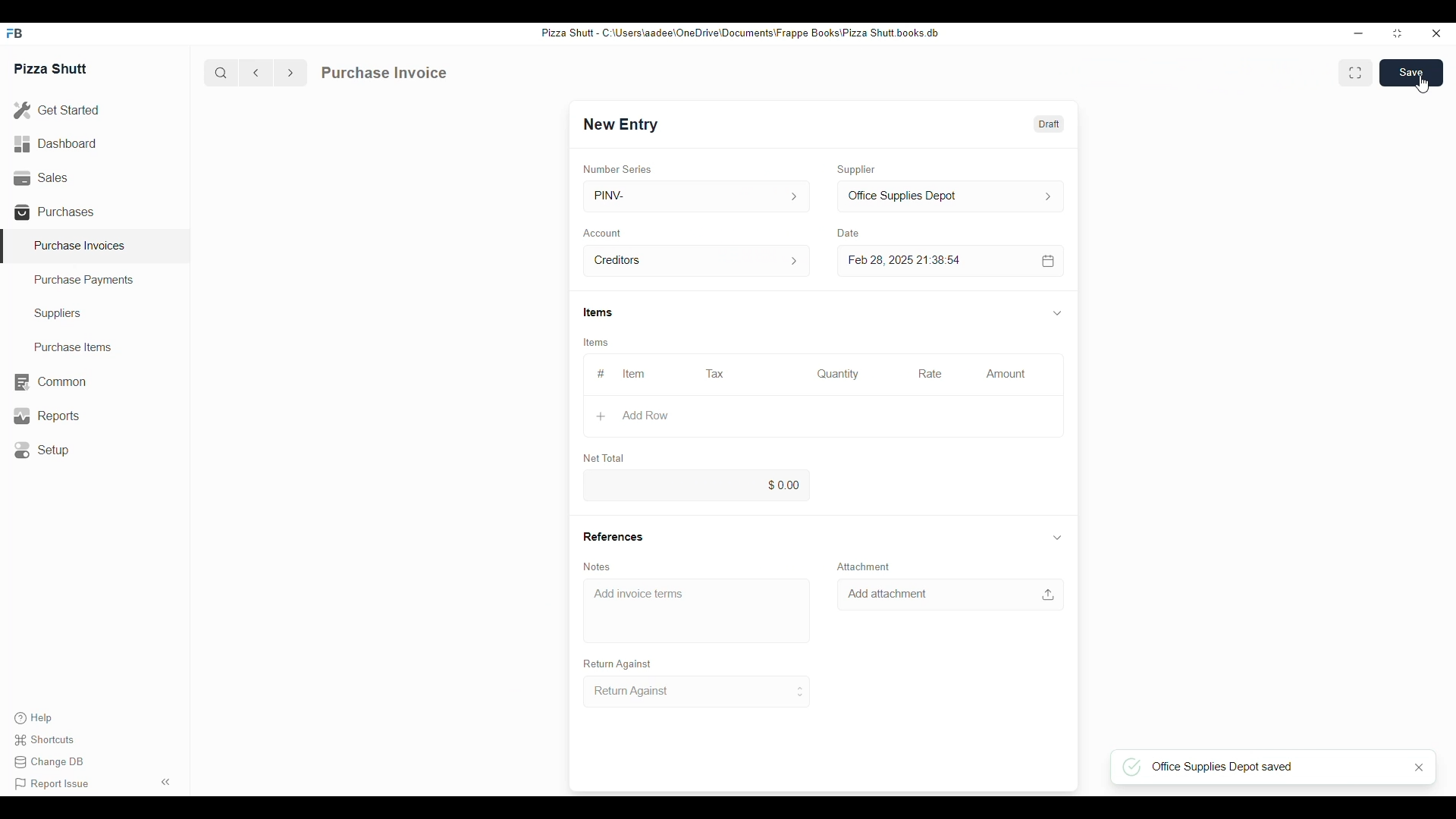 The height and width of the screenshot is (819, 1456). Describe the element at coordinates (739, 32) in the screenshot. I see `Pizza Shut - C:\Users\aadee\OneDrive\Documents\Frappe Books\Pizza Shutt books. db` at that location.